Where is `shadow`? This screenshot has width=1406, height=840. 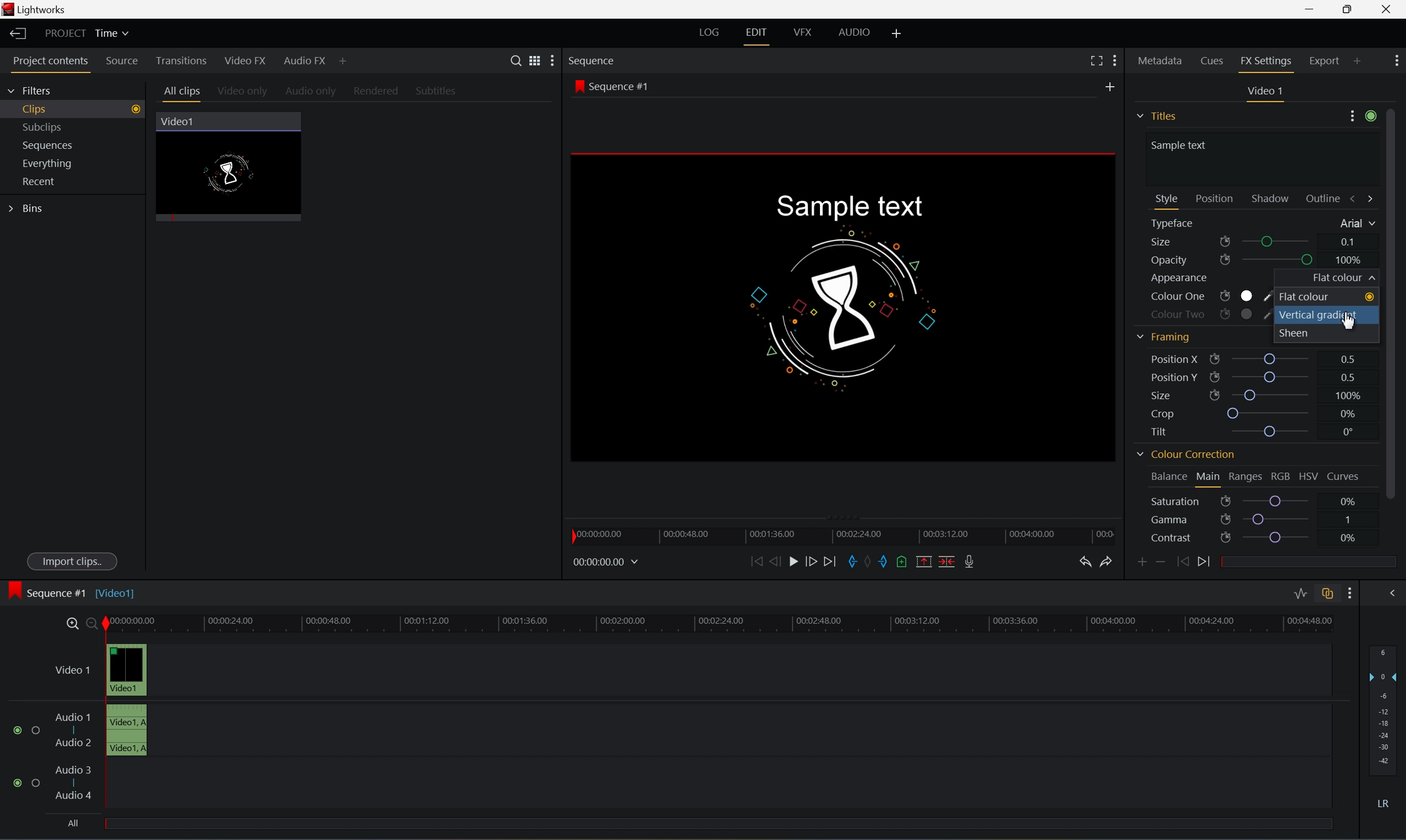
shadow is located at coordinates (1273, 198).